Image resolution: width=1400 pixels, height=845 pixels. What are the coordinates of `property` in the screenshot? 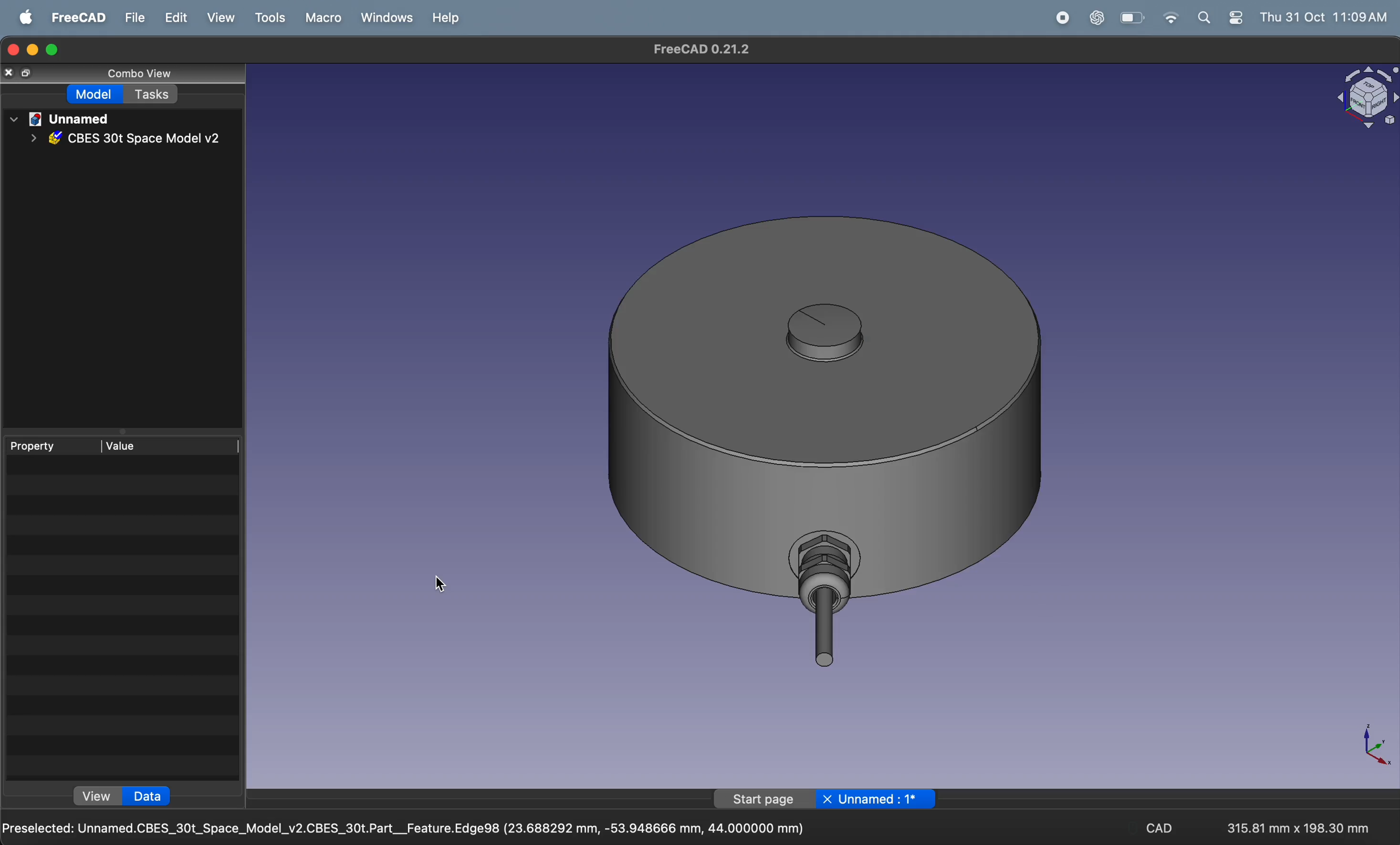 It's located at (48, 447).